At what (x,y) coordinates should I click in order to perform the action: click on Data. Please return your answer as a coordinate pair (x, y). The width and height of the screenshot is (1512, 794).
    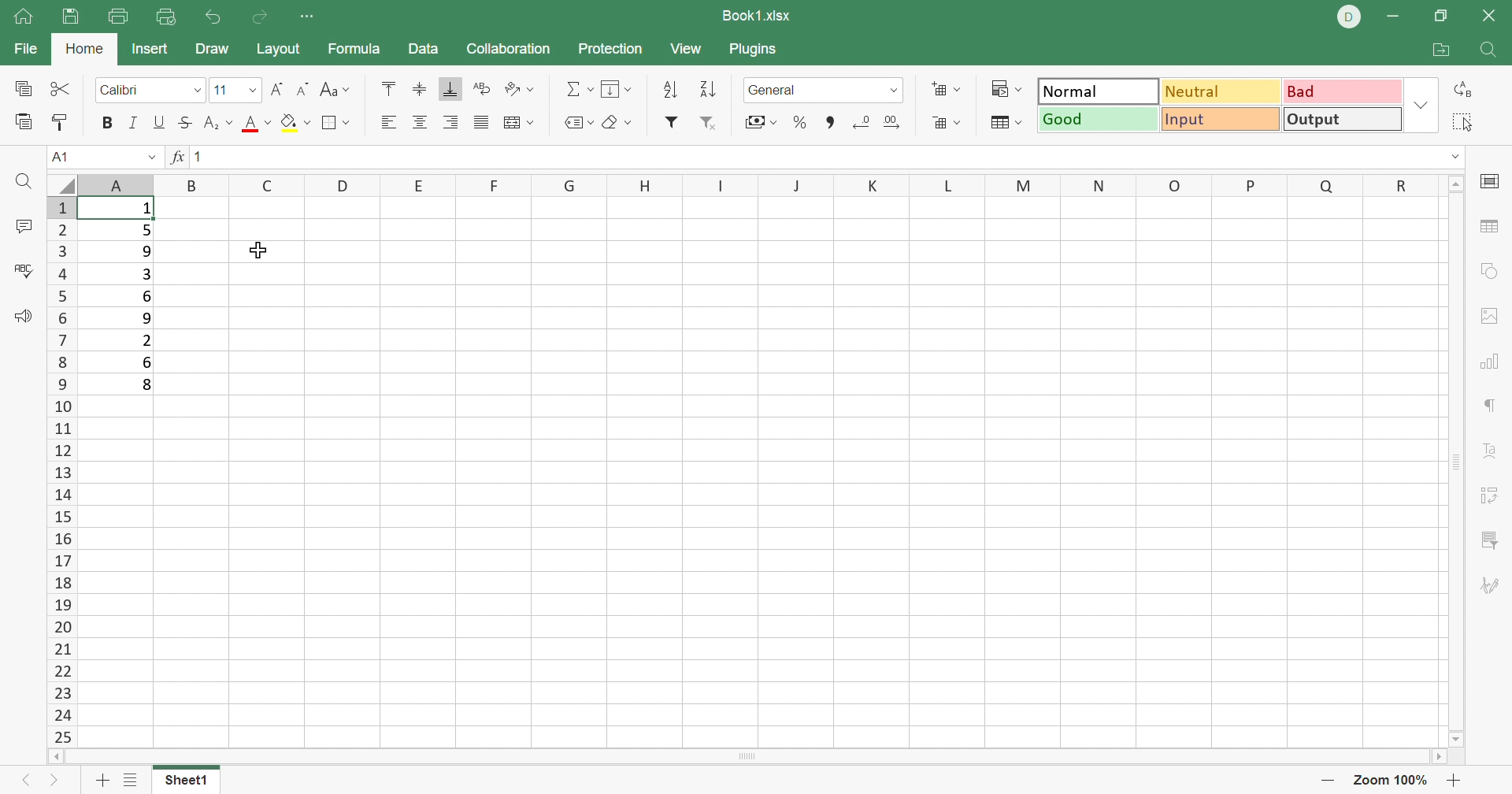
    Looking at the image, I should click on (422, 46).